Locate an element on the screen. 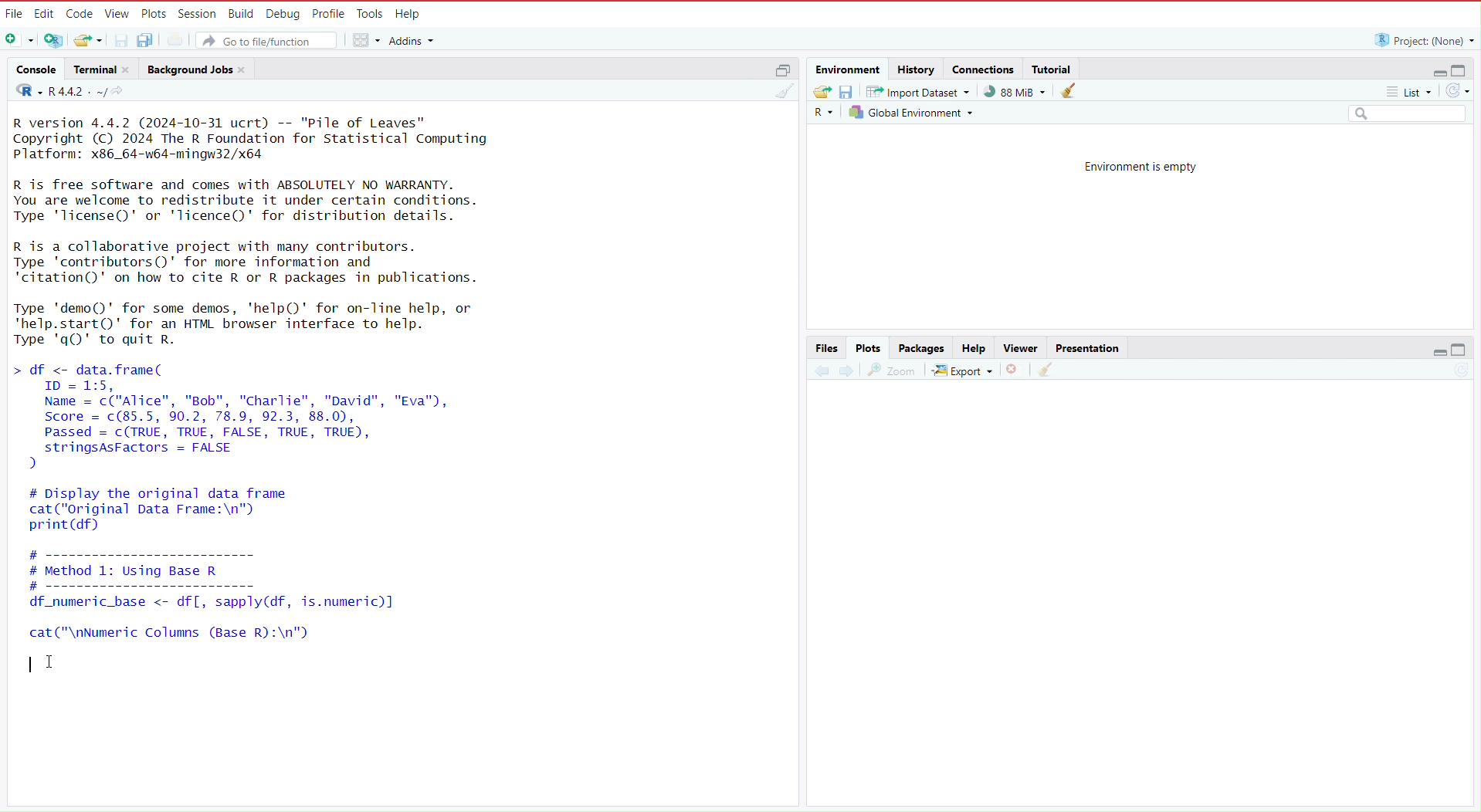 This screenshot has width=1481, height=812. R version 4.4.2 (2024-10-31 ucrt) -- "Pile of Leaves"
Copyright (C) 2024 The R Foundation for Statistical Computing
Platform: x86_64-w64-mingw32/x64 is located at coordinates (259, 137).